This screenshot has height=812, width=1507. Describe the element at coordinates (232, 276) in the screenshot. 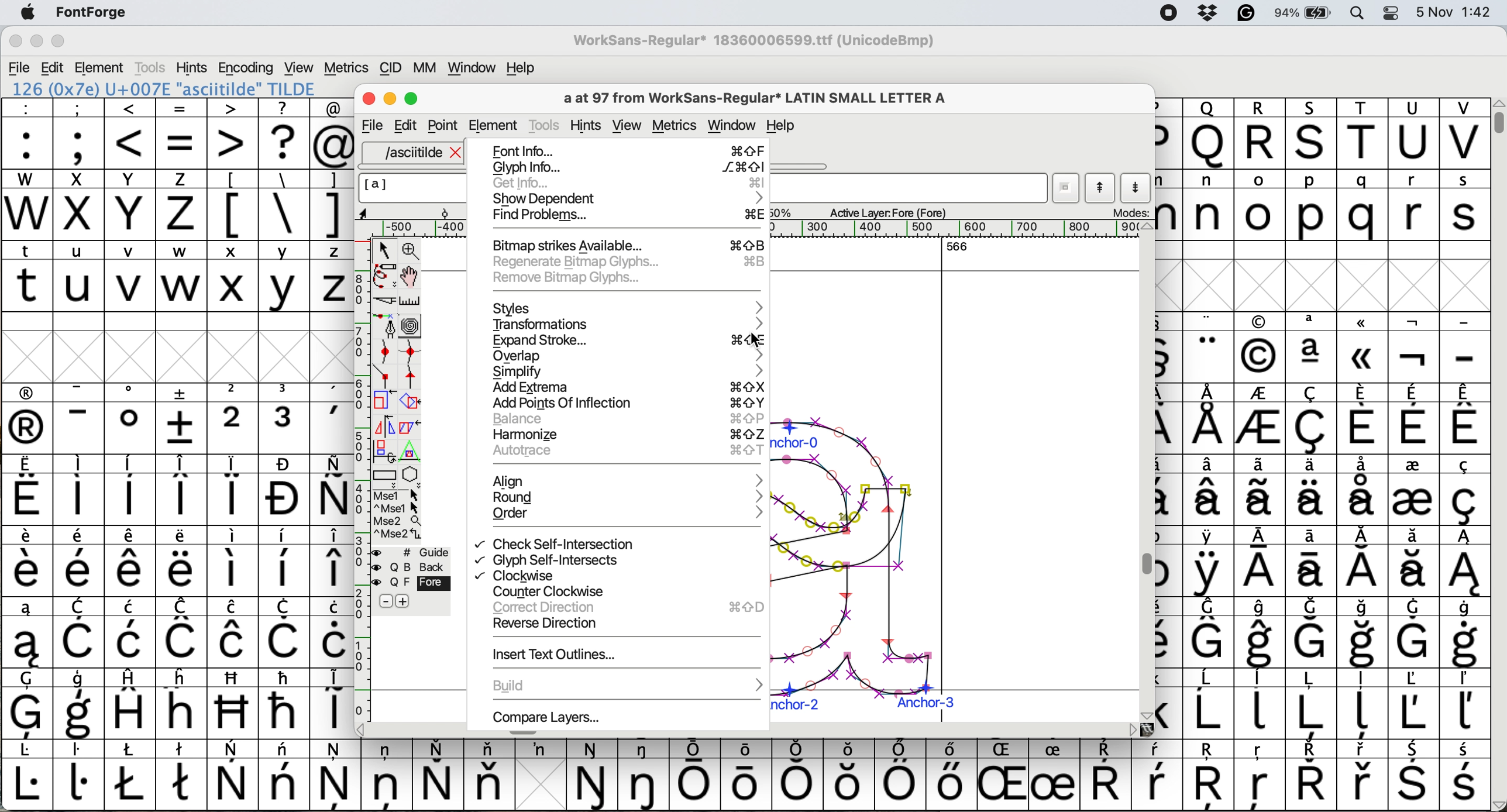

I see `x` at that location.